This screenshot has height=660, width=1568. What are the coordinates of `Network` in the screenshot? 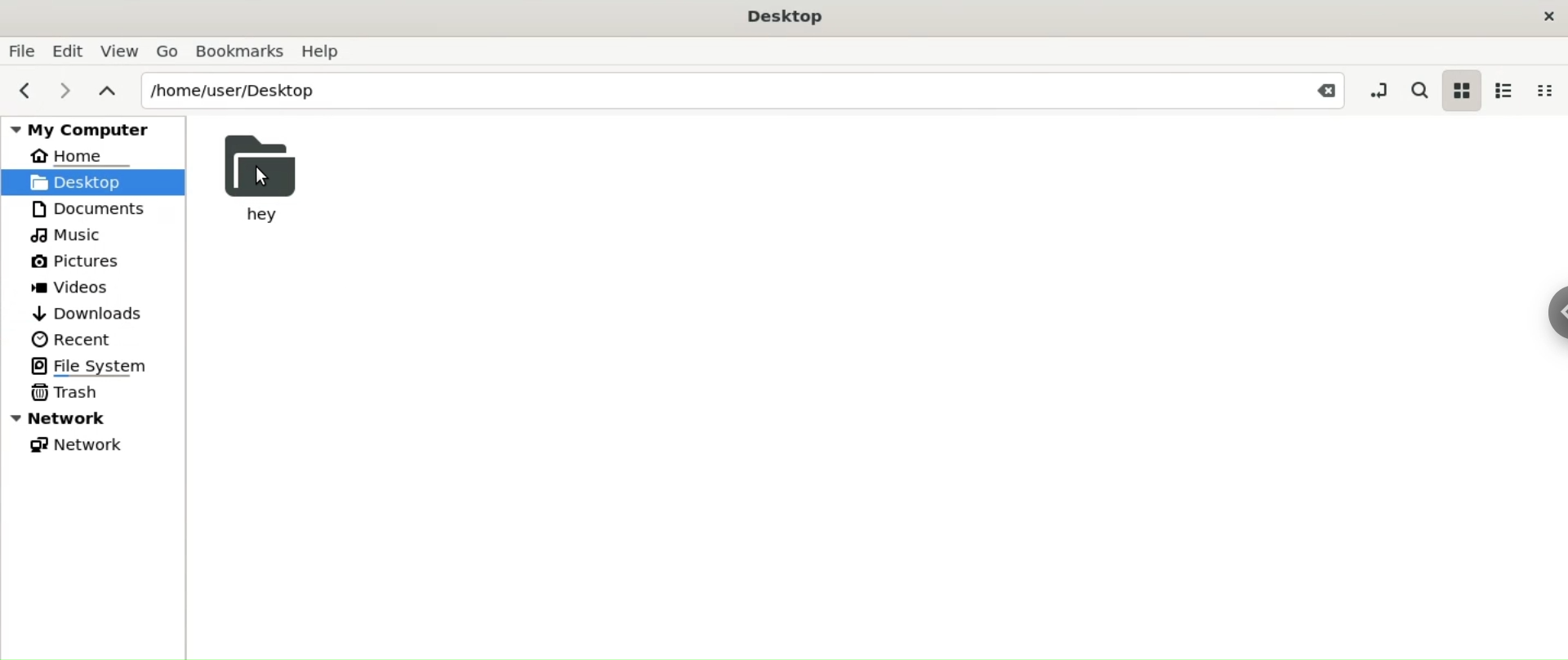 It's located at (82, 446).